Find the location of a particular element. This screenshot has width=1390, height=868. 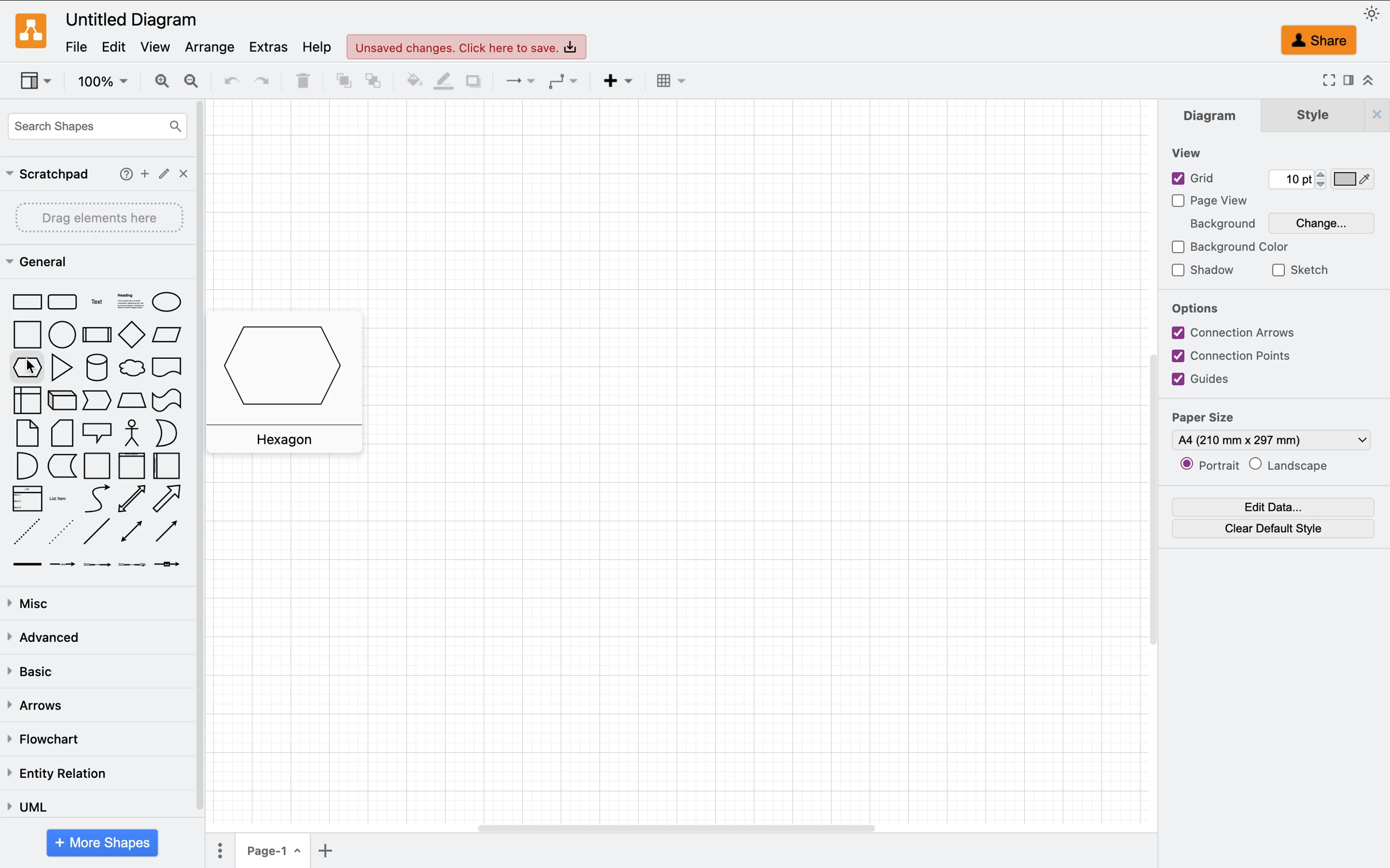

application logo is located at coordinates (31, 31).